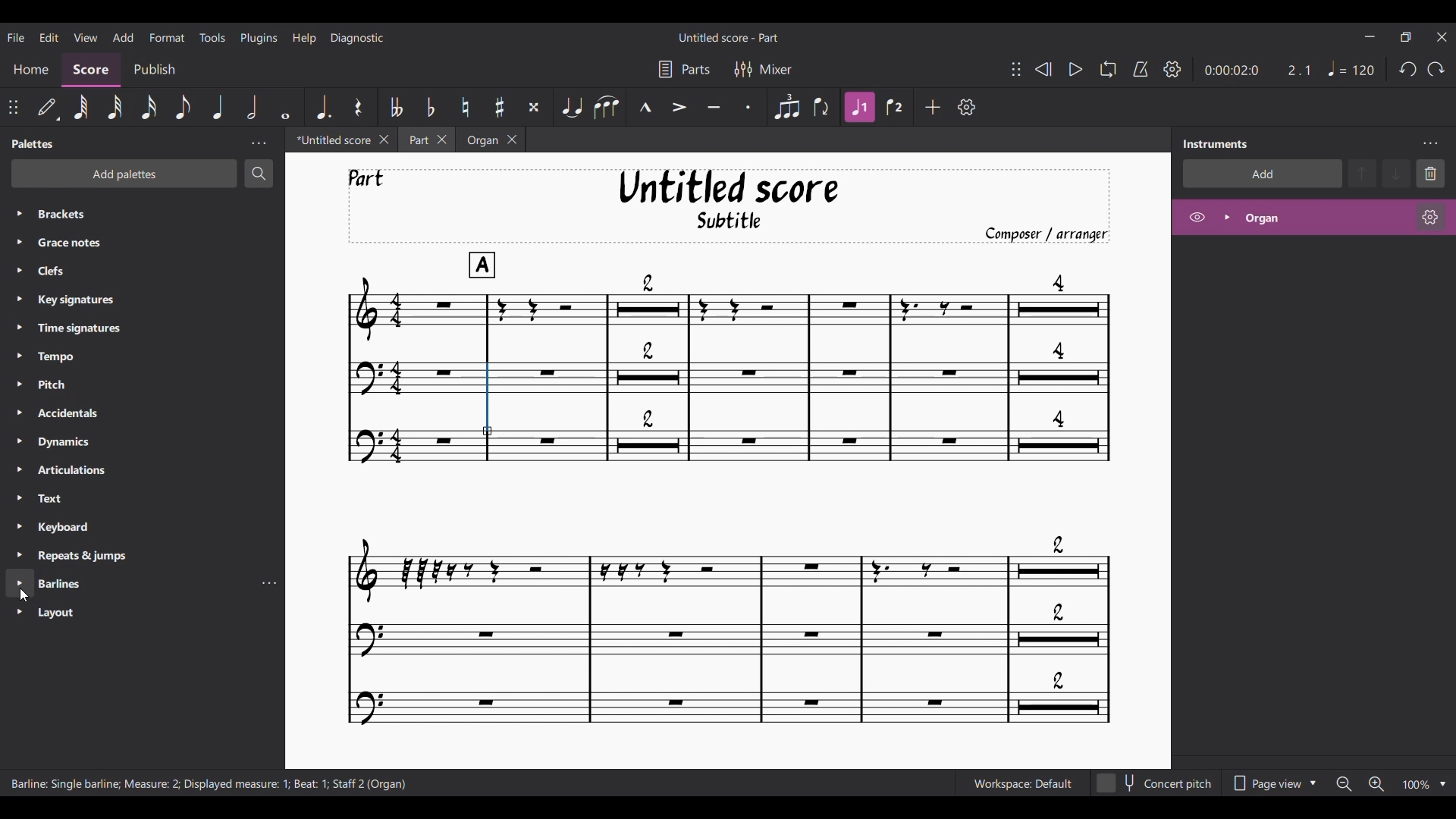 This screenshot has height=819, width=1456. What do you see at coordinates (330, 140) in the screenshot?
I see `Untitled tab` at bounding box center [330, 140].